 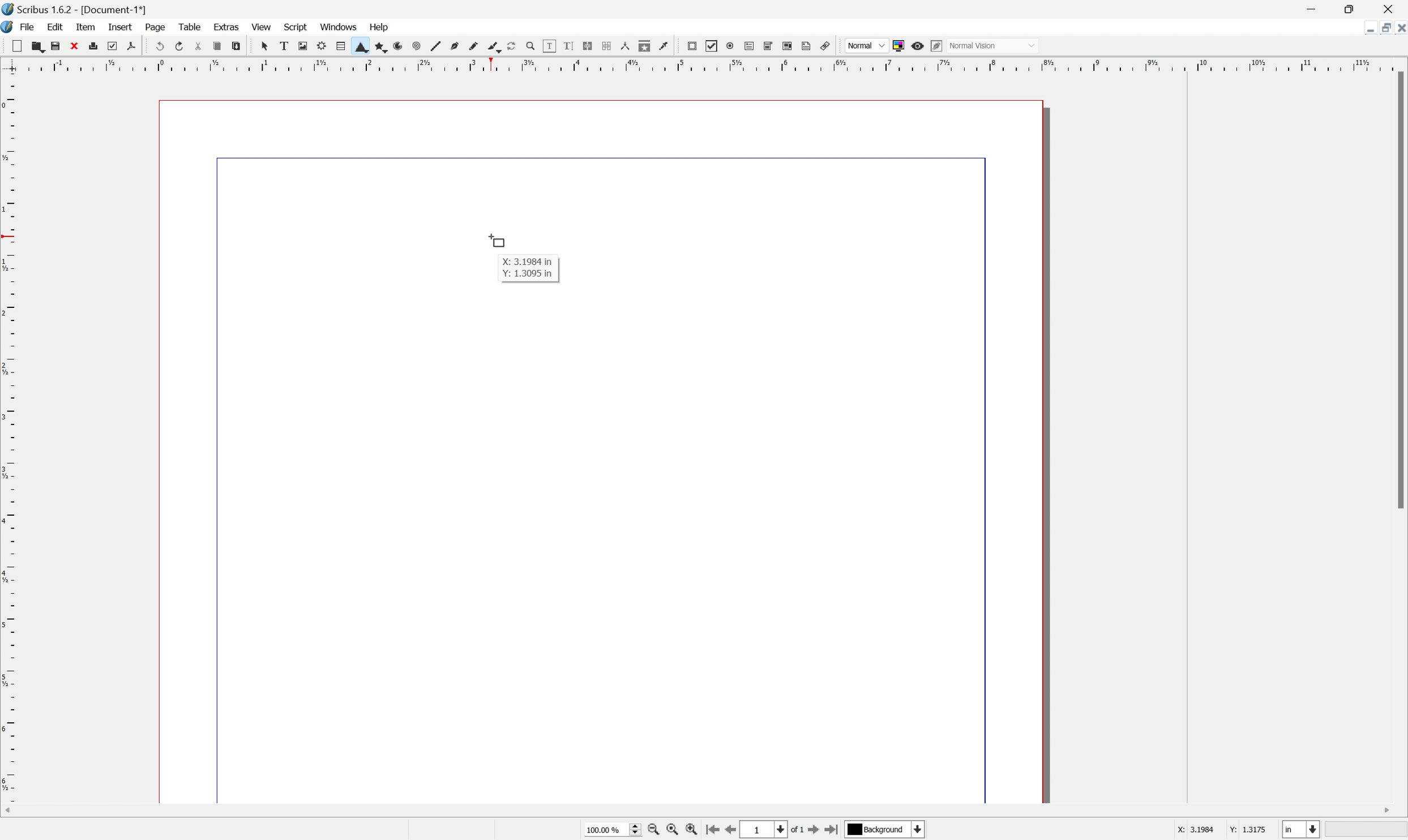 I want to click on 100.00 %, so click(x=606, y=830).